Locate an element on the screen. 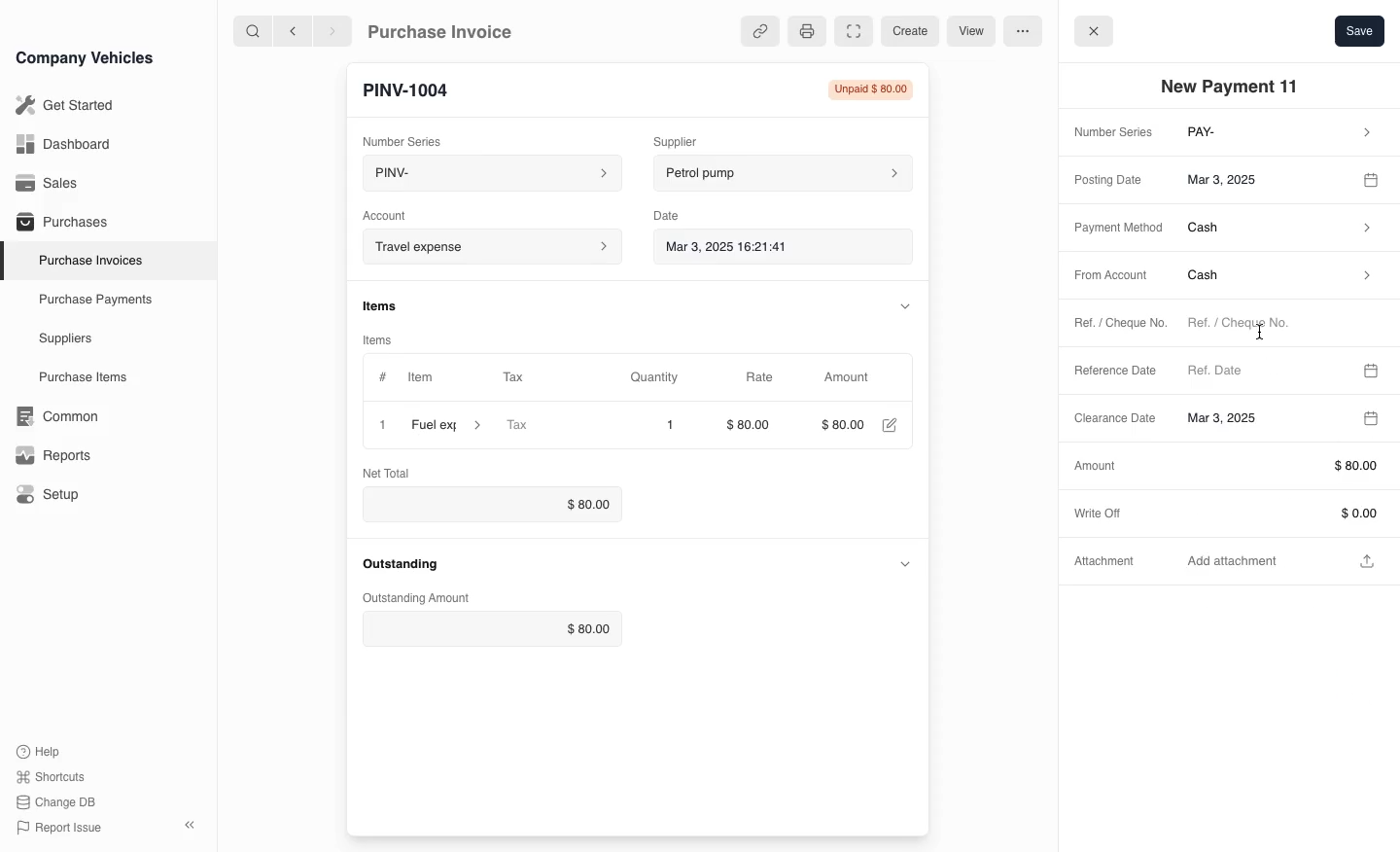 The image size is (1400, 852). Sales is located at coordinates (48, 183).